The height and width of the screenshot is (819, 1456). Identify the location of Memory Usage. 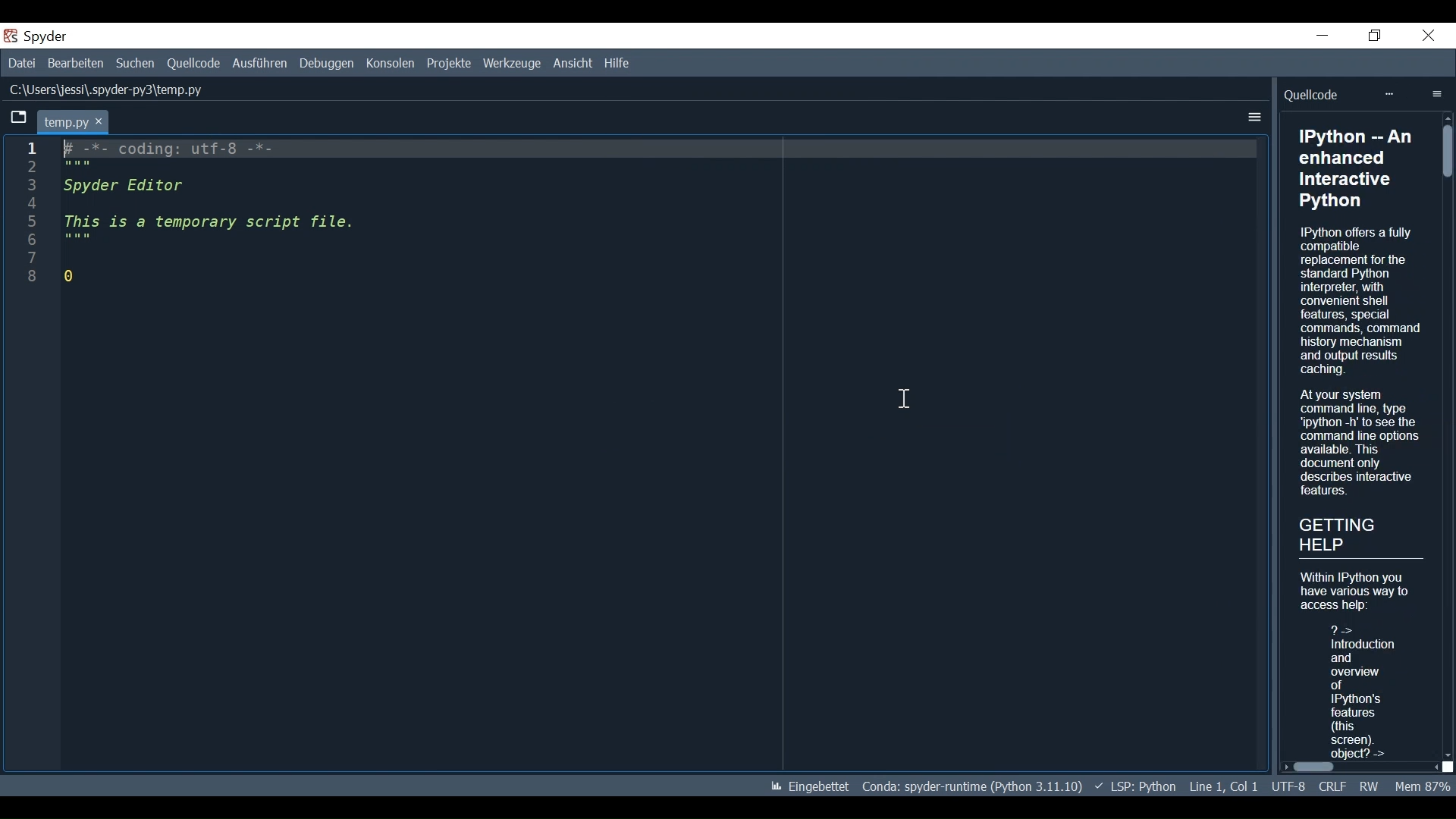
(1421, 786).